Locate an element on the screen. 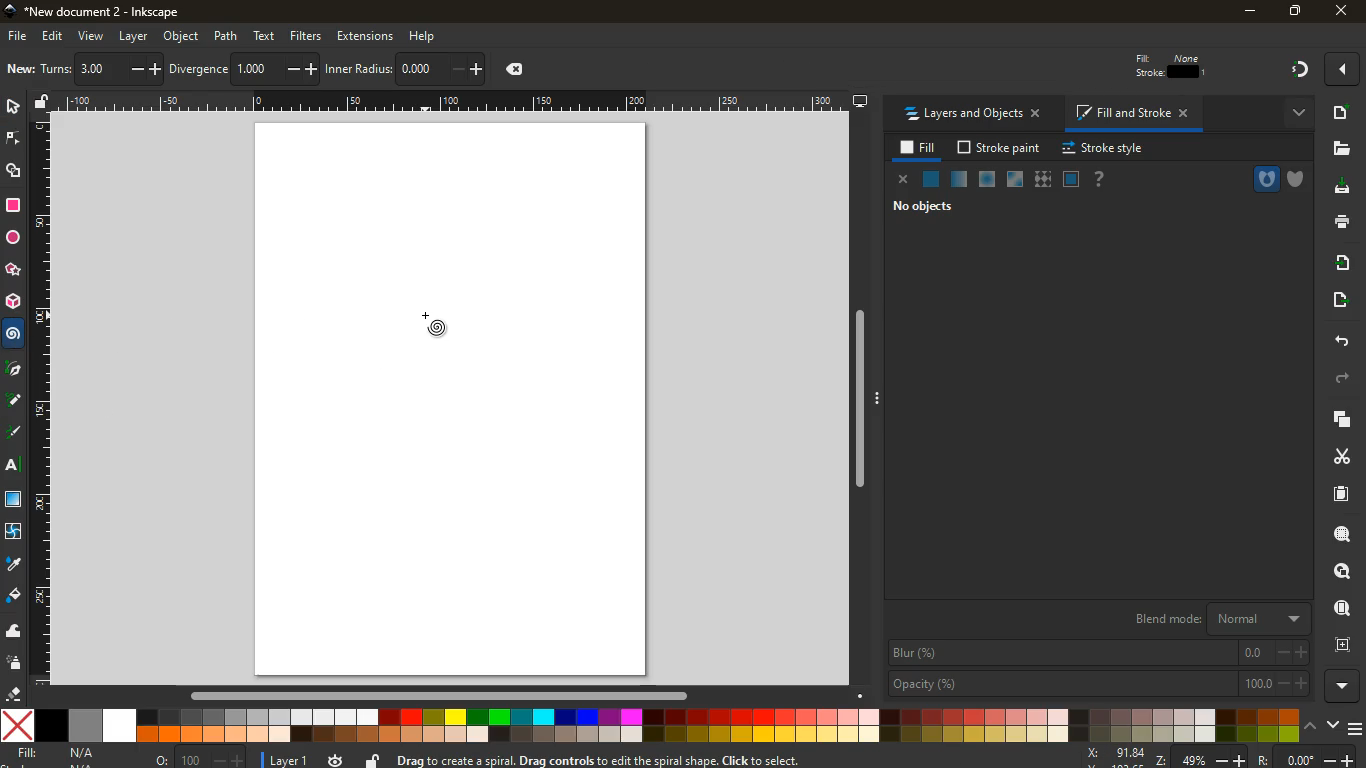 This screenshot has width=1366, height=768. layer is located at coordinates (286, 758).